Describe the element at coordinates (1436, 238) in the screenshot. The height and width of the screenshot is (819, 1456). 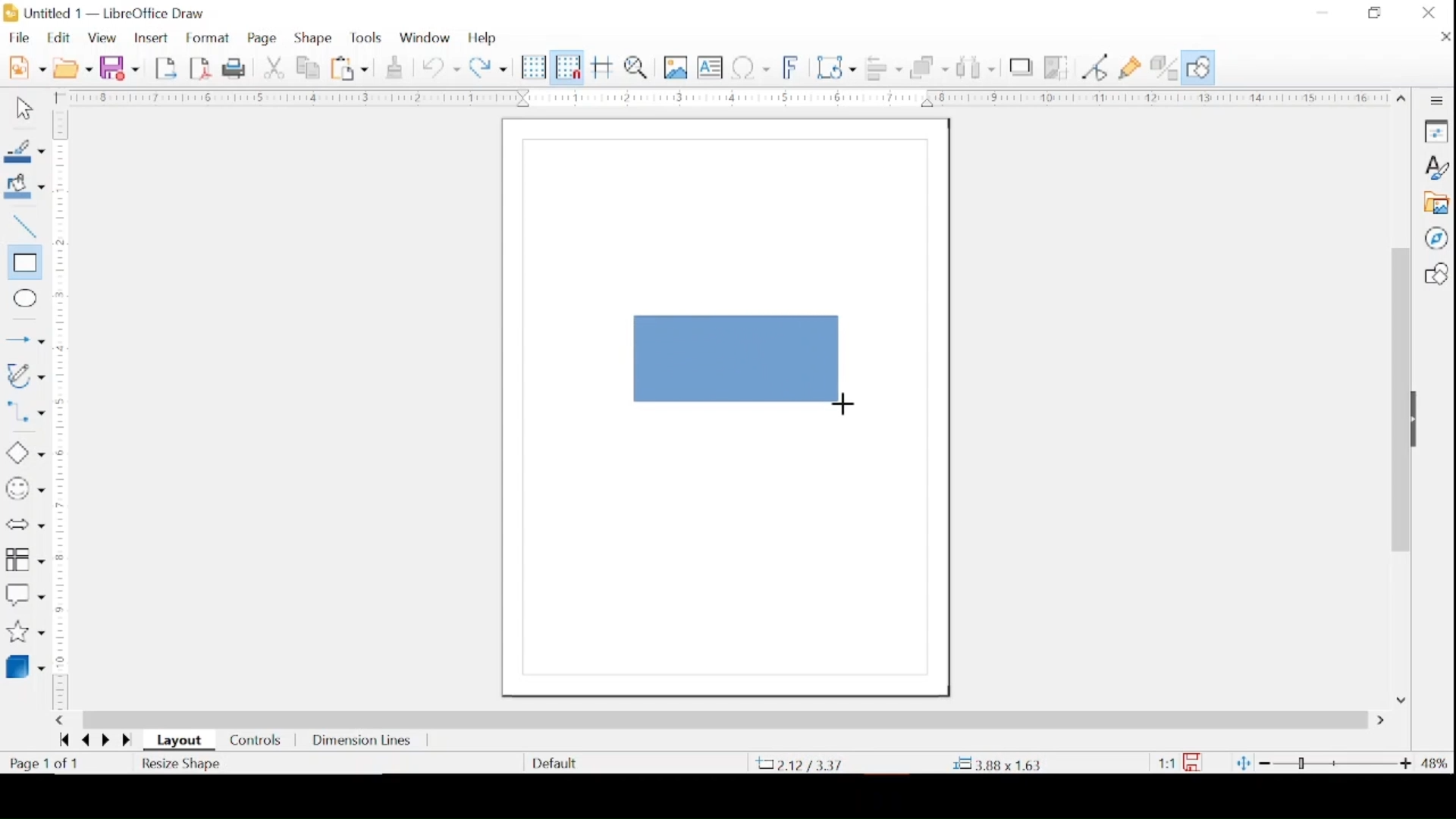
I see `navigator` at that location.